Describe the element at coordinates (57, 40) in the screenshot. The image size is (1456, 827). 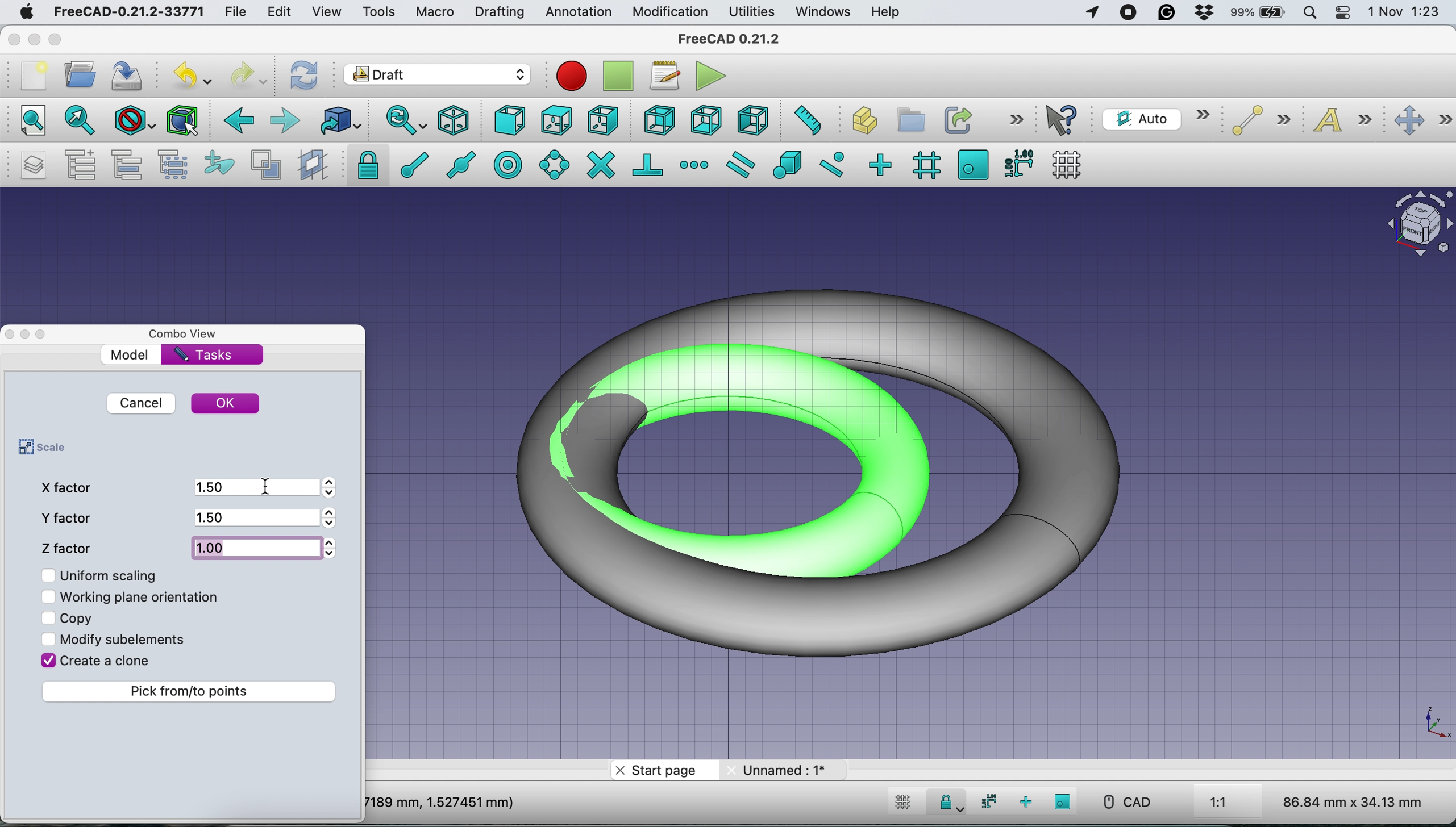
I see `maximise` at that location.